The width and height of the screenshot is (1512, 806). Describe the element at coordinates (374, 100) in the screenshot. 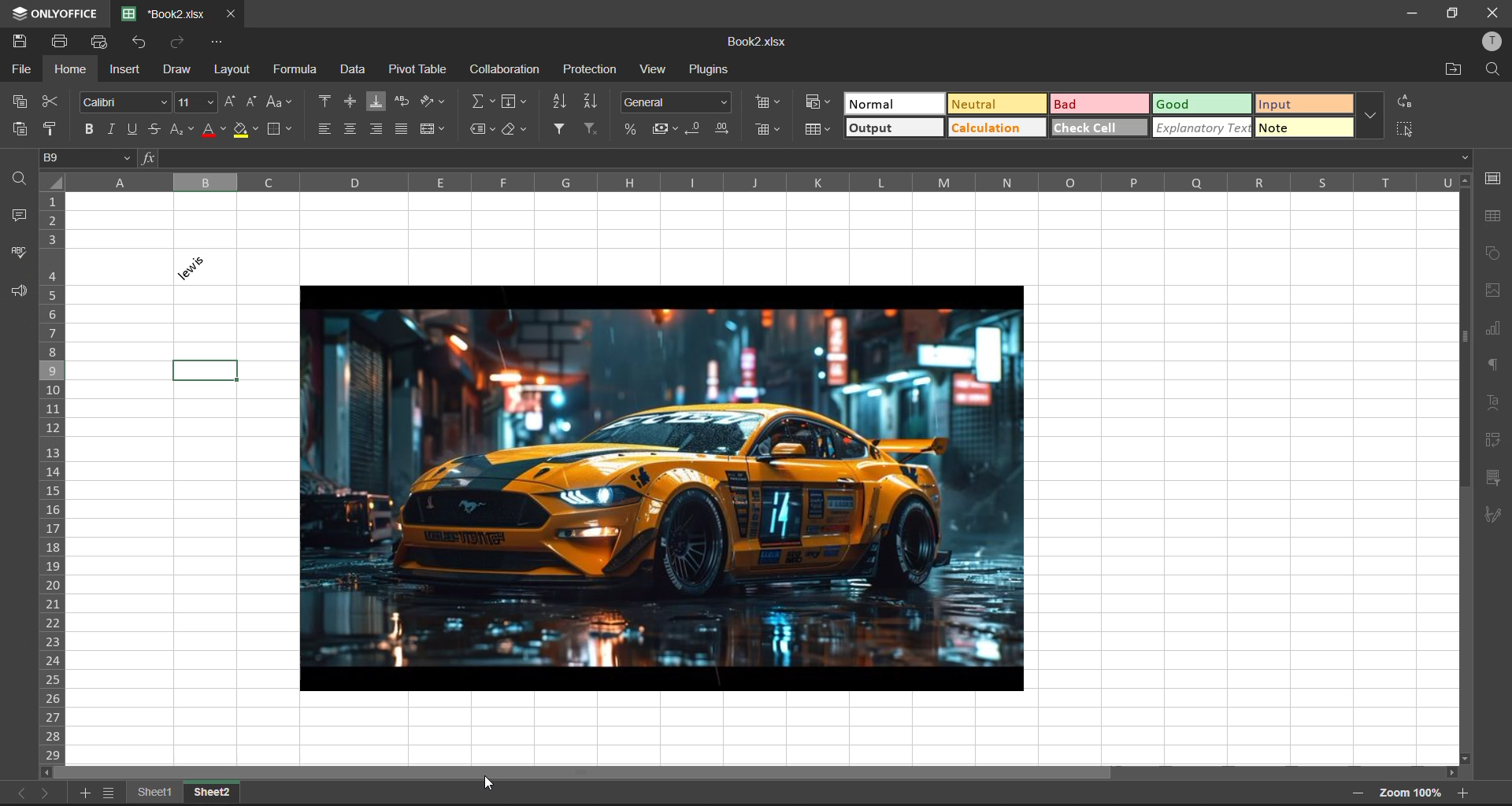

I see `align bottom` at that location.